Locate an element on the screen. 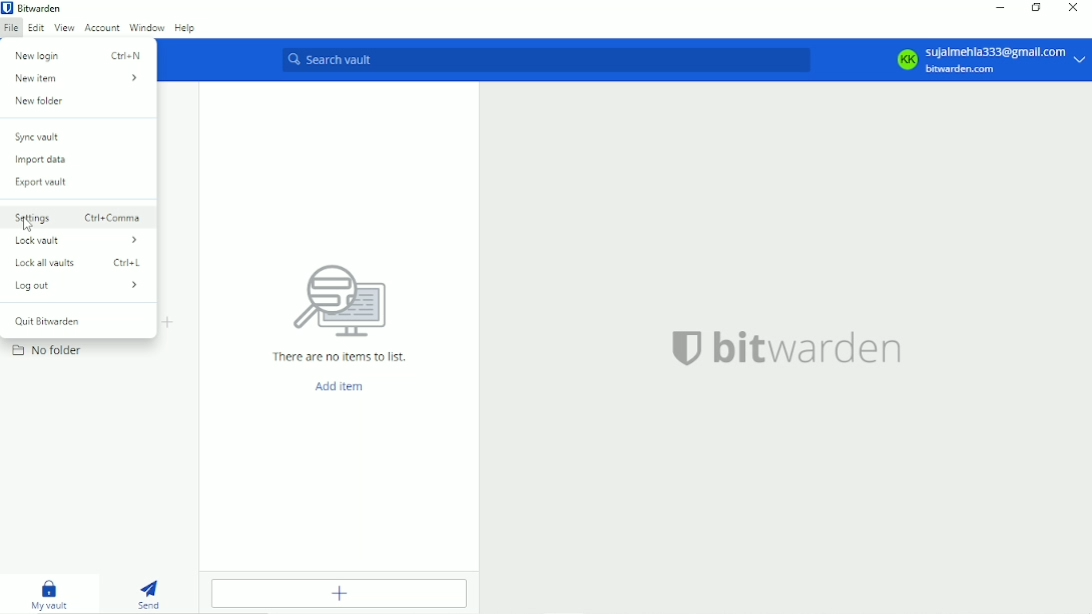  New folder is located at coordinates (41, 101).